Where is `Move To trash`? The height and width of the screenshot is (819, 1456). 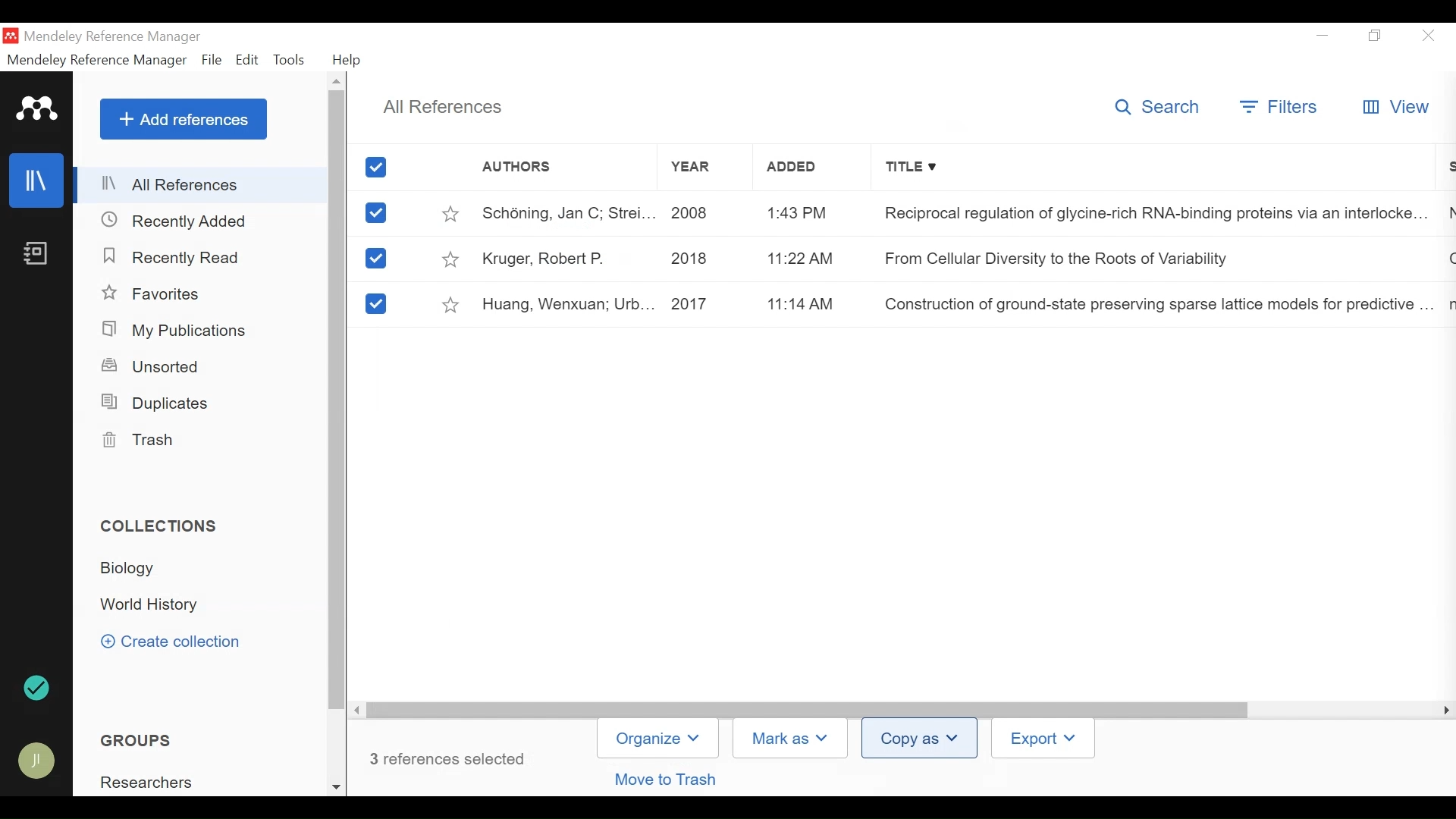
Move To trash is located at coordinates (677, 780).